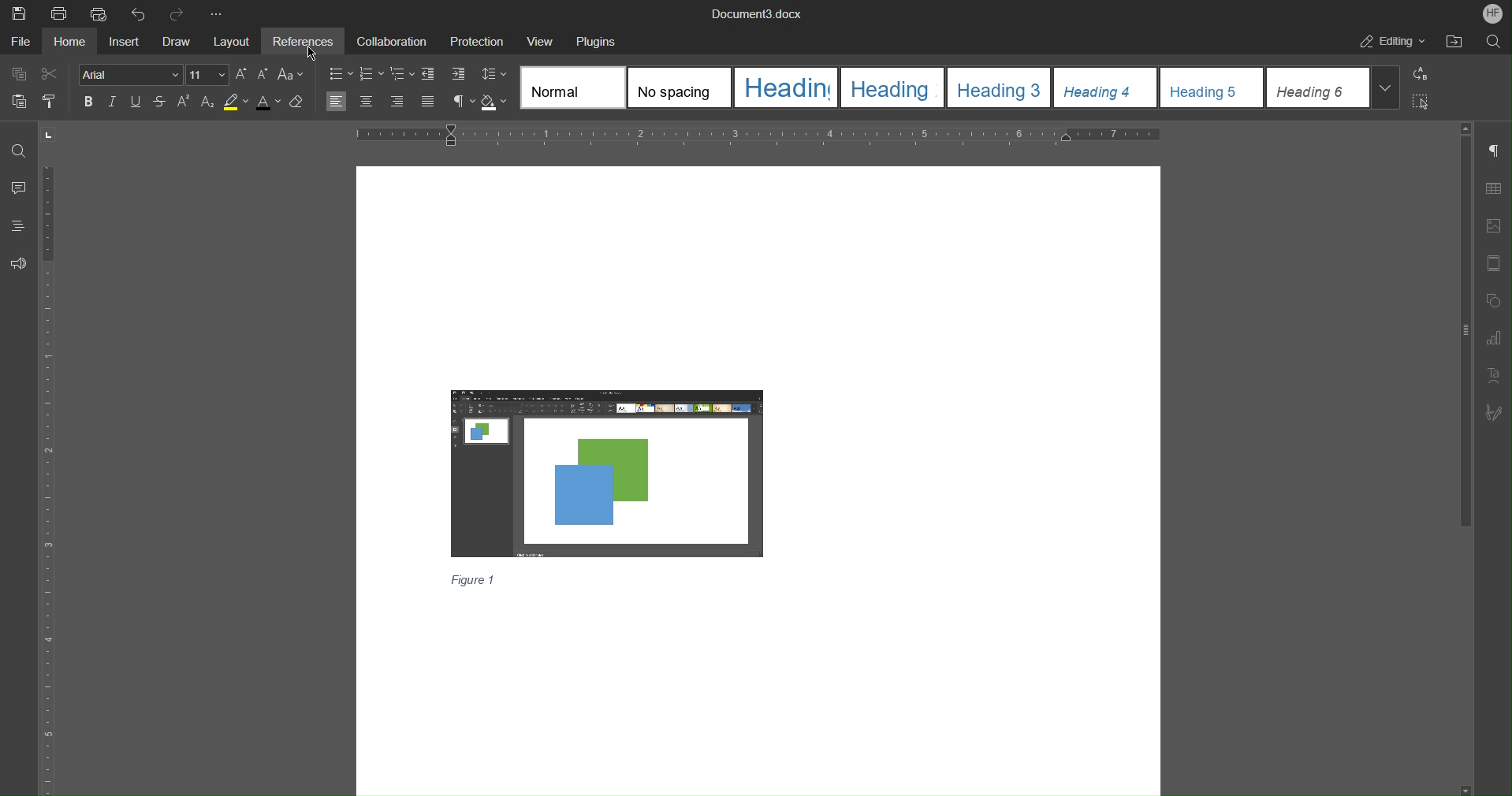 This screenshot has width=1512, height=796. Describe the element at coordinates (496, 73) in the screenshot. I see `Line Spacing` at that location.